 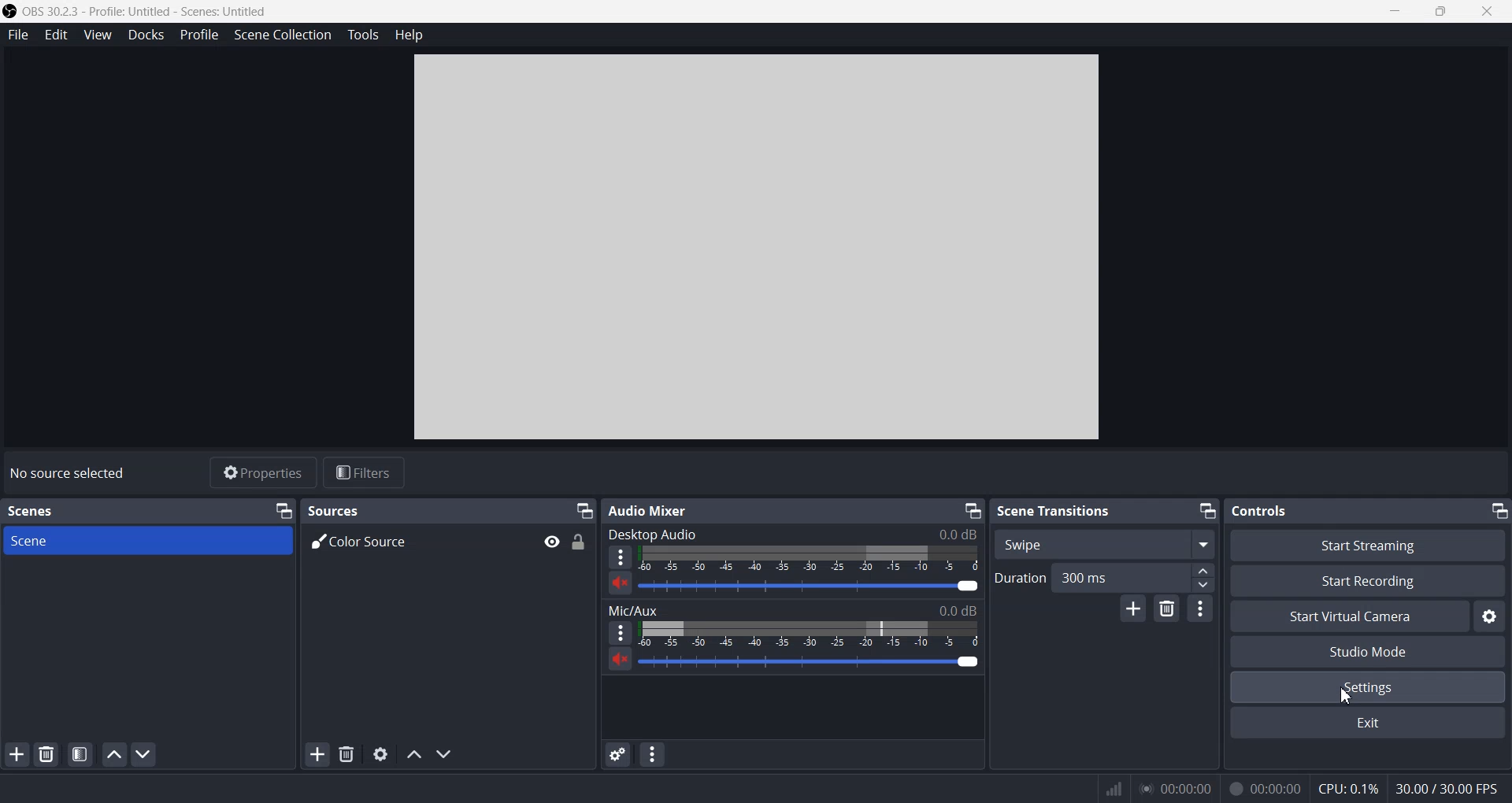 I want to click on Advance audio properties, so click(x=617, y=753).